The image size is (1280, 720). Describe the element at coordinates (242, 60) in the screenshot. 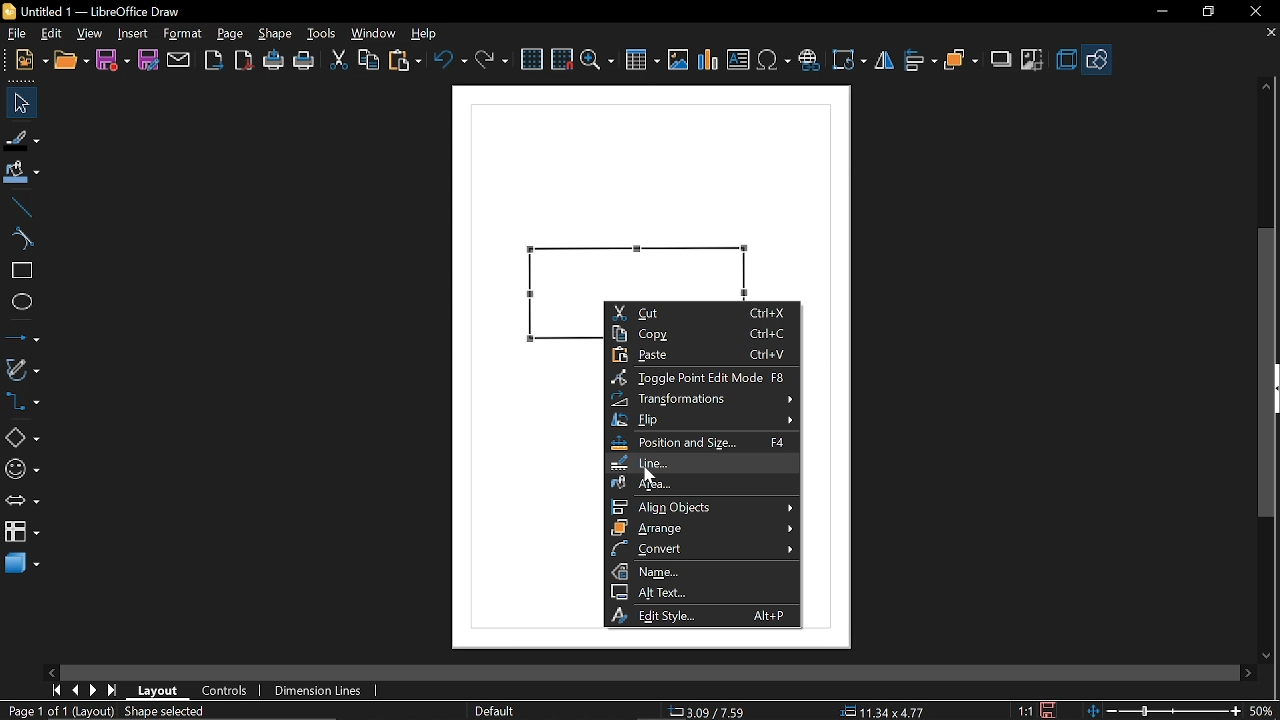

I see `export as pdf` at that location.